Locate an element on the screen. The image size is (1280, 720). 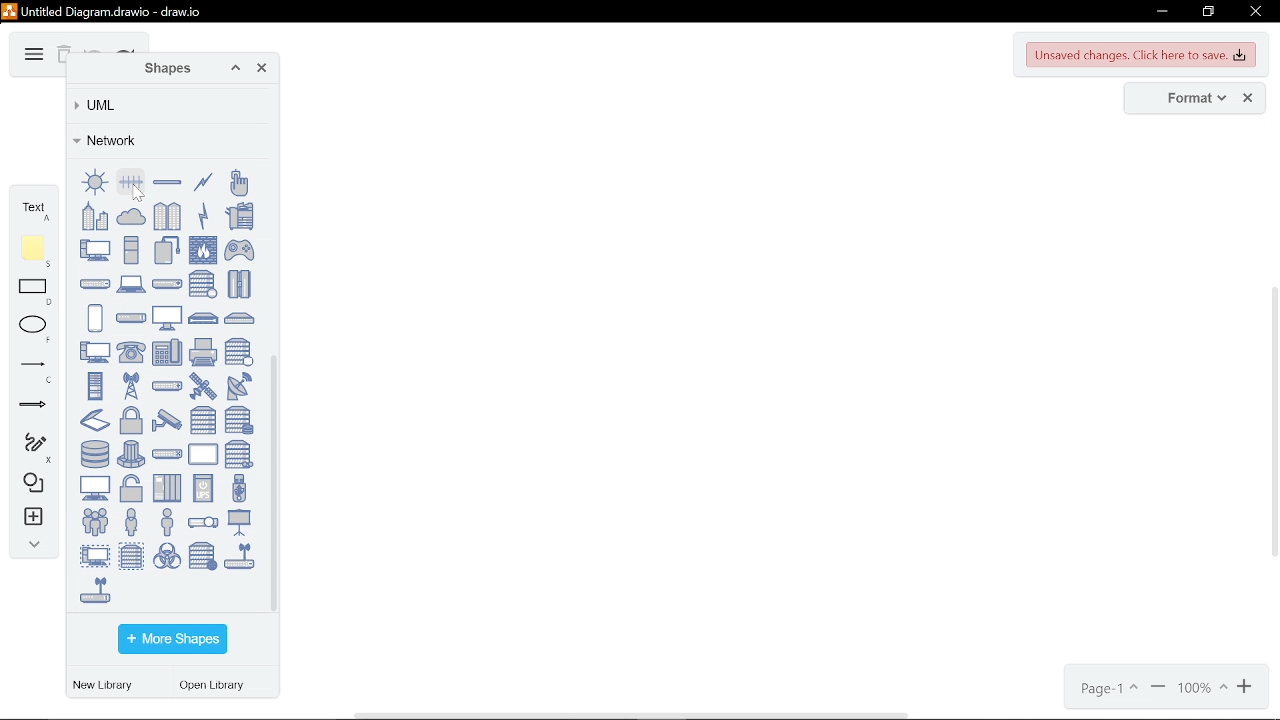
monitor is located at coordinates (167, 317).